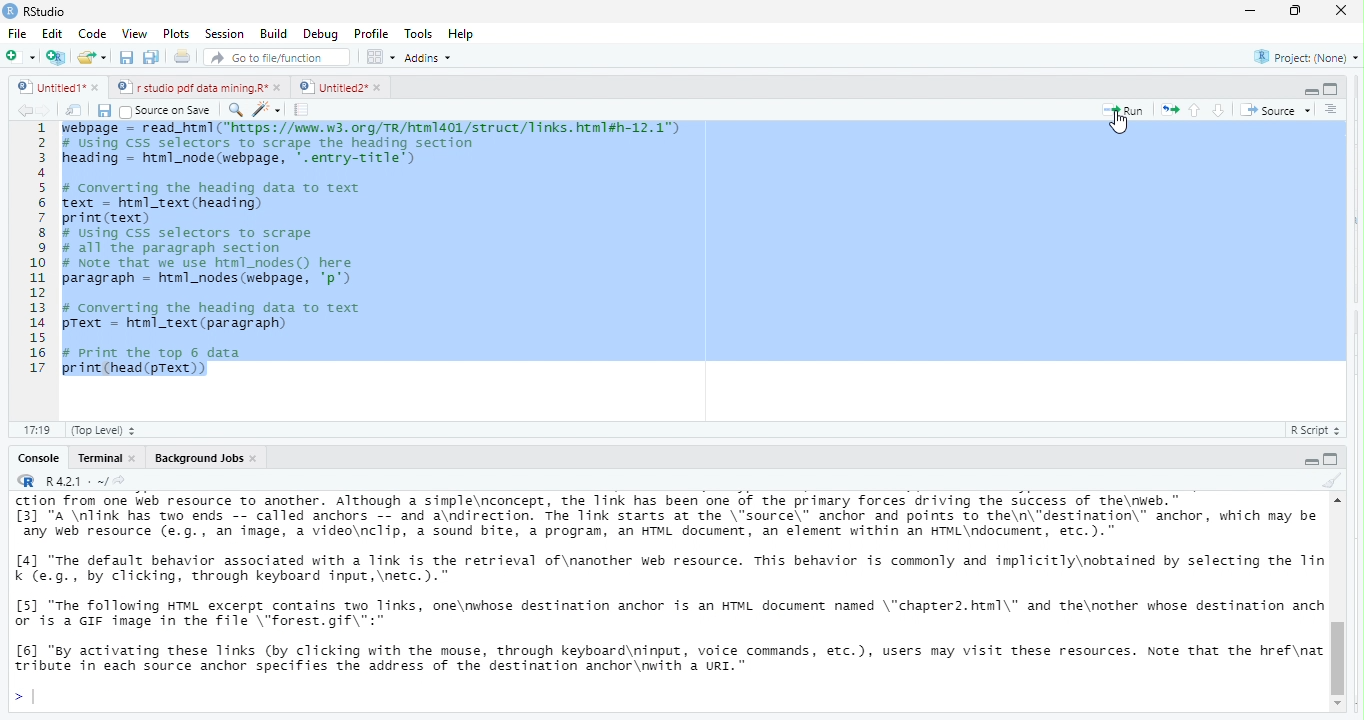  I want to click on Source on Save, so click(168, 111).